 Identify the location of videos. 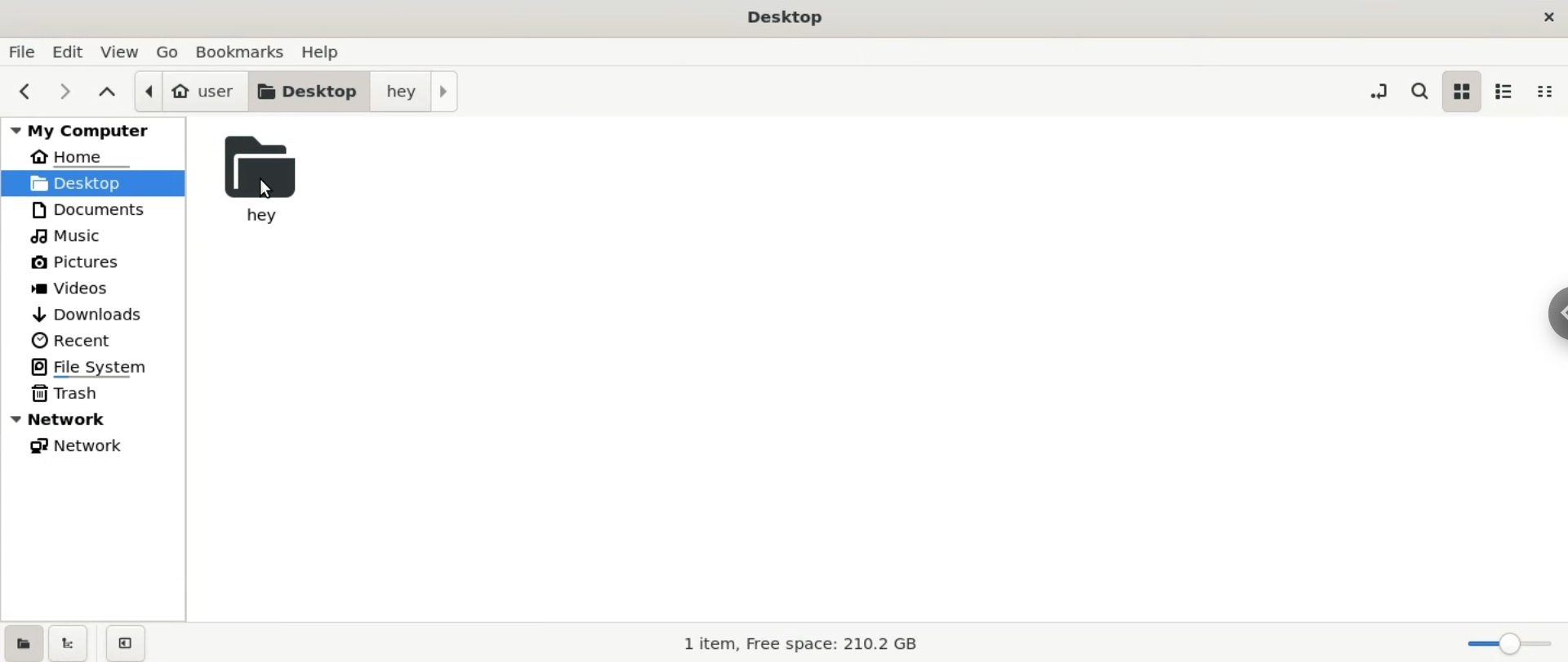
(93, 288).